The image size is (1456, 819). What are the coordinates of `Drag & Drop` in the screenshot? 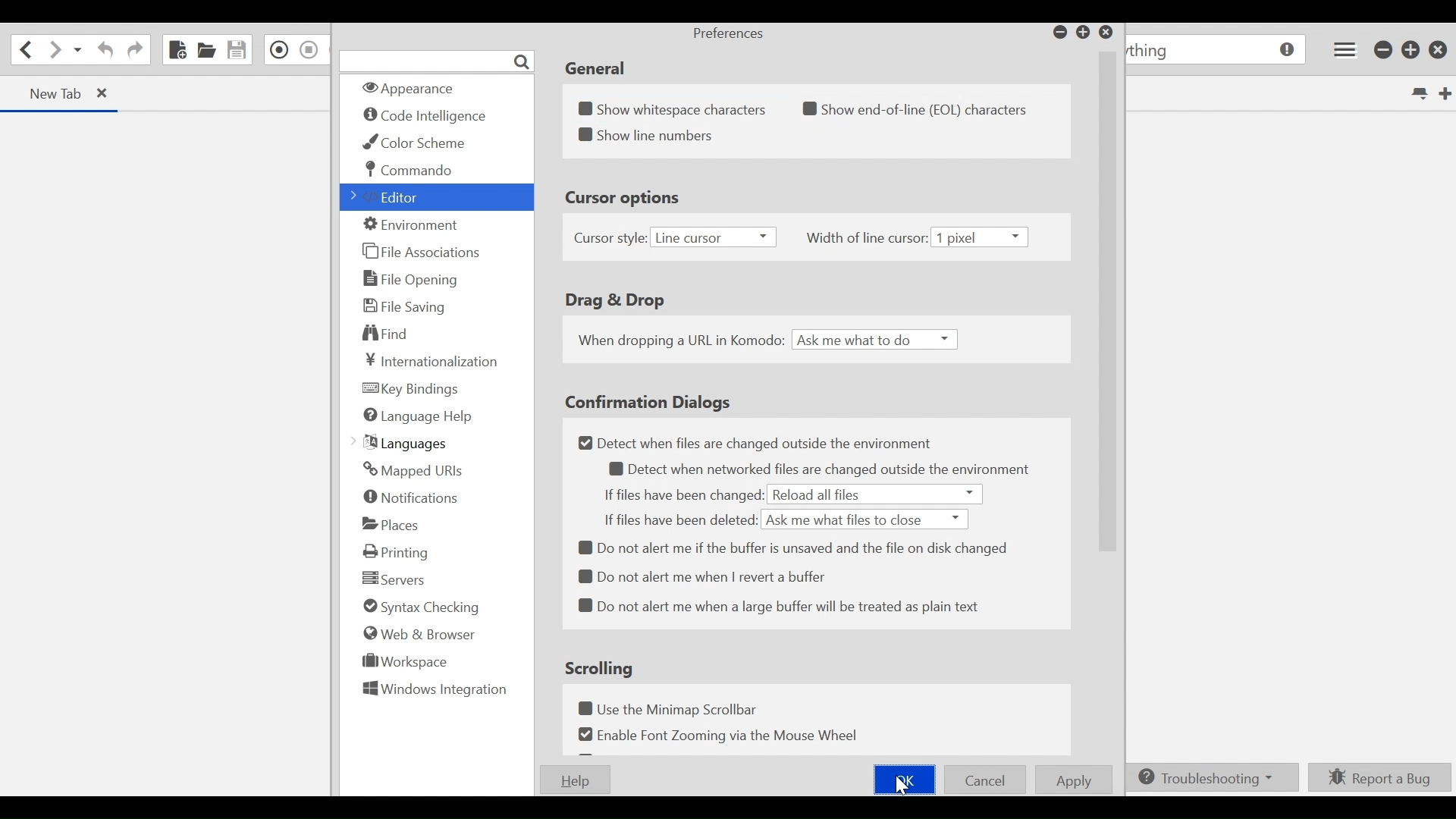 It's located at (613, 301).